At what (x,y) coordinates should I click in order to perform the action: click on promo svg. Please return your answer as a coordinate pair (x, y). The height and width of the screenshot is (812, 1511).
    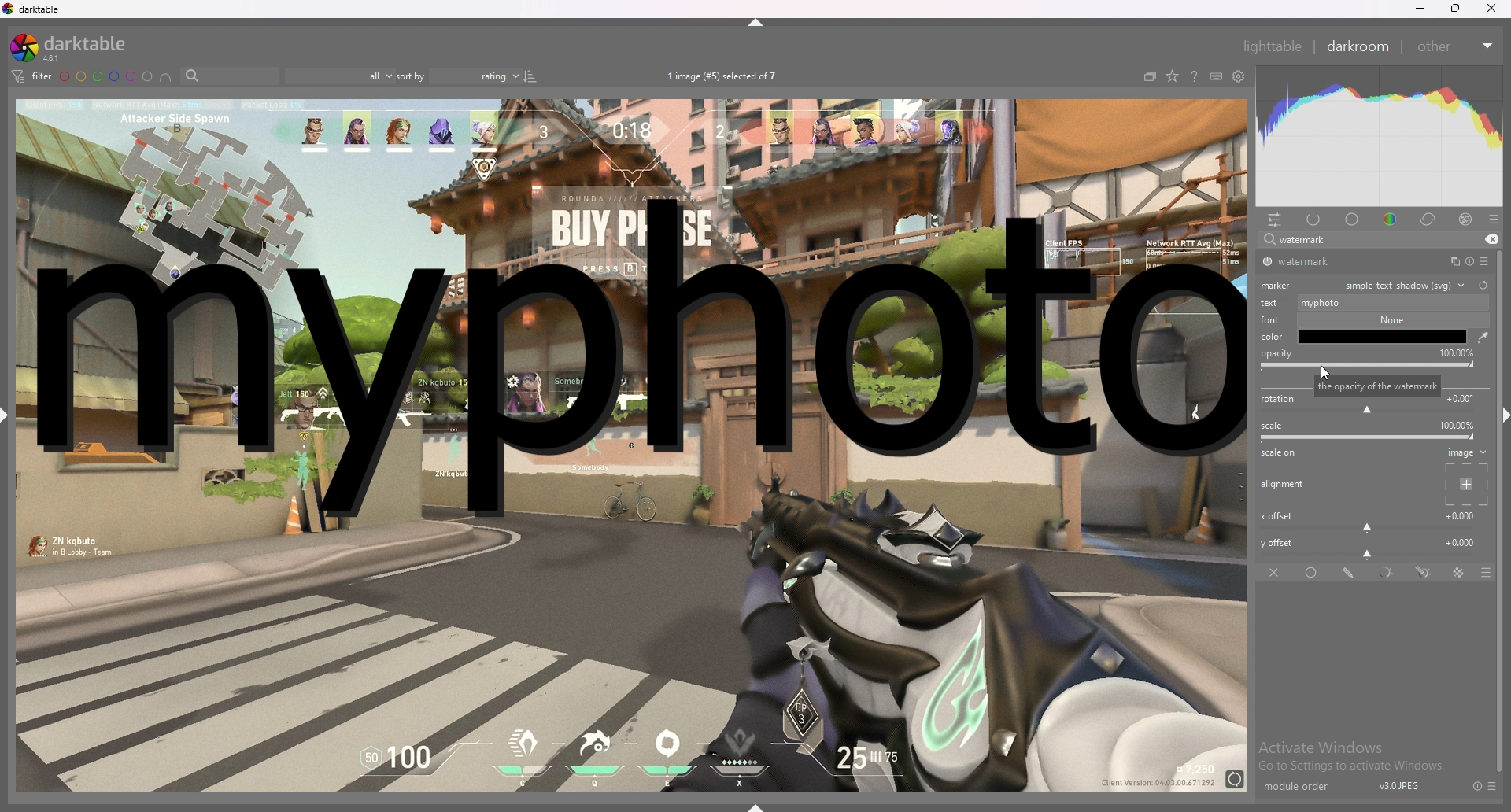
    Looking at the image, I should click on (1387, 340).